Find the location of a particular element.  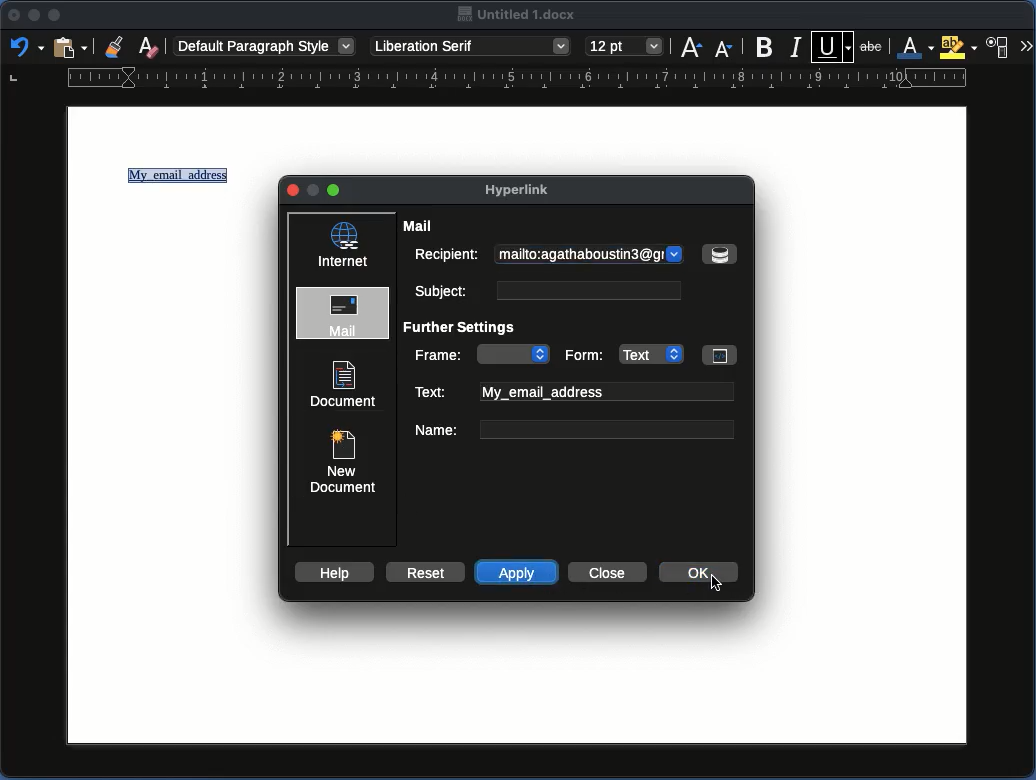

Form is located at coordinates (648, 353).